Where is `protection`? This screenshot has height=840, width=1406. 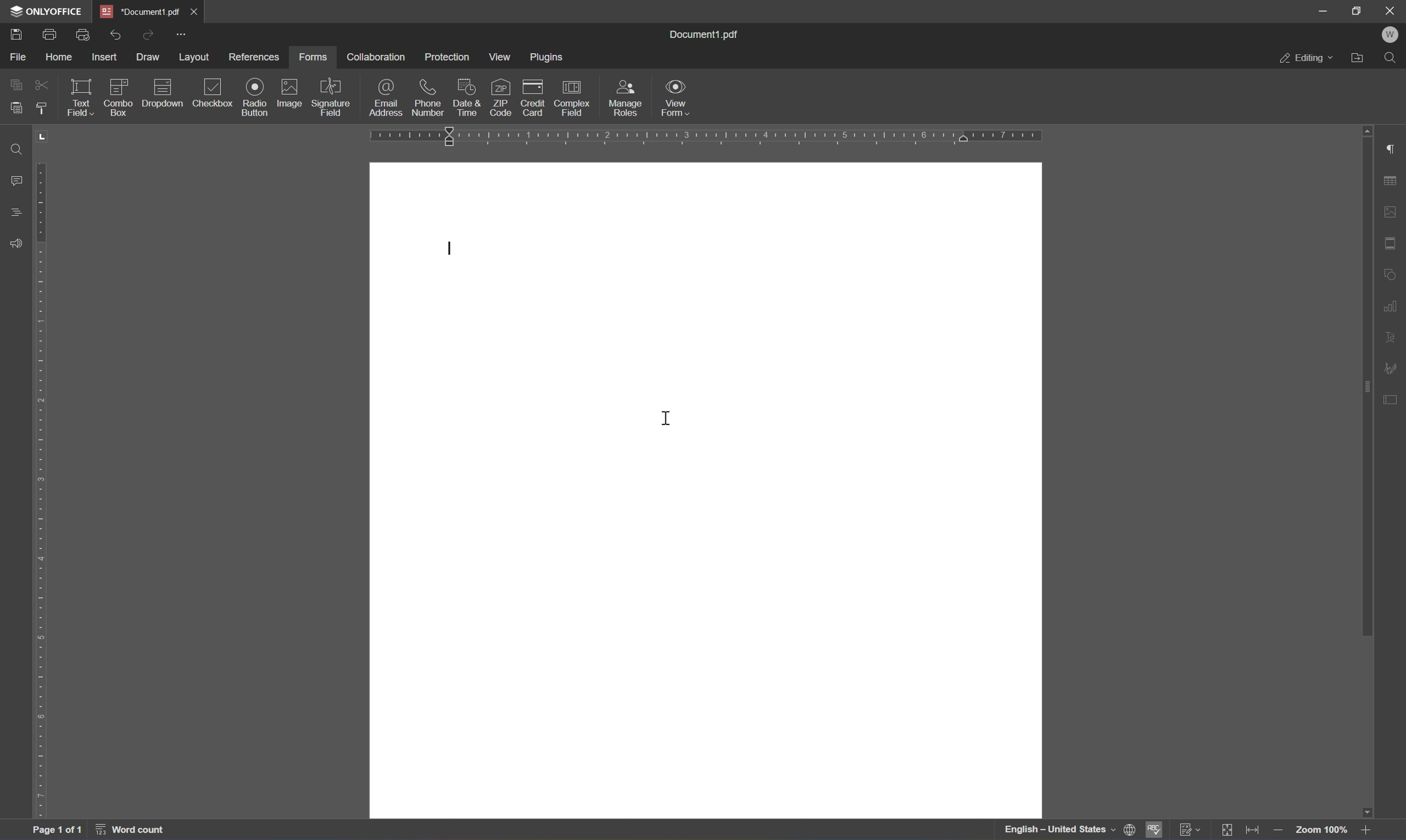
protection is located at coordinates (450, 59).